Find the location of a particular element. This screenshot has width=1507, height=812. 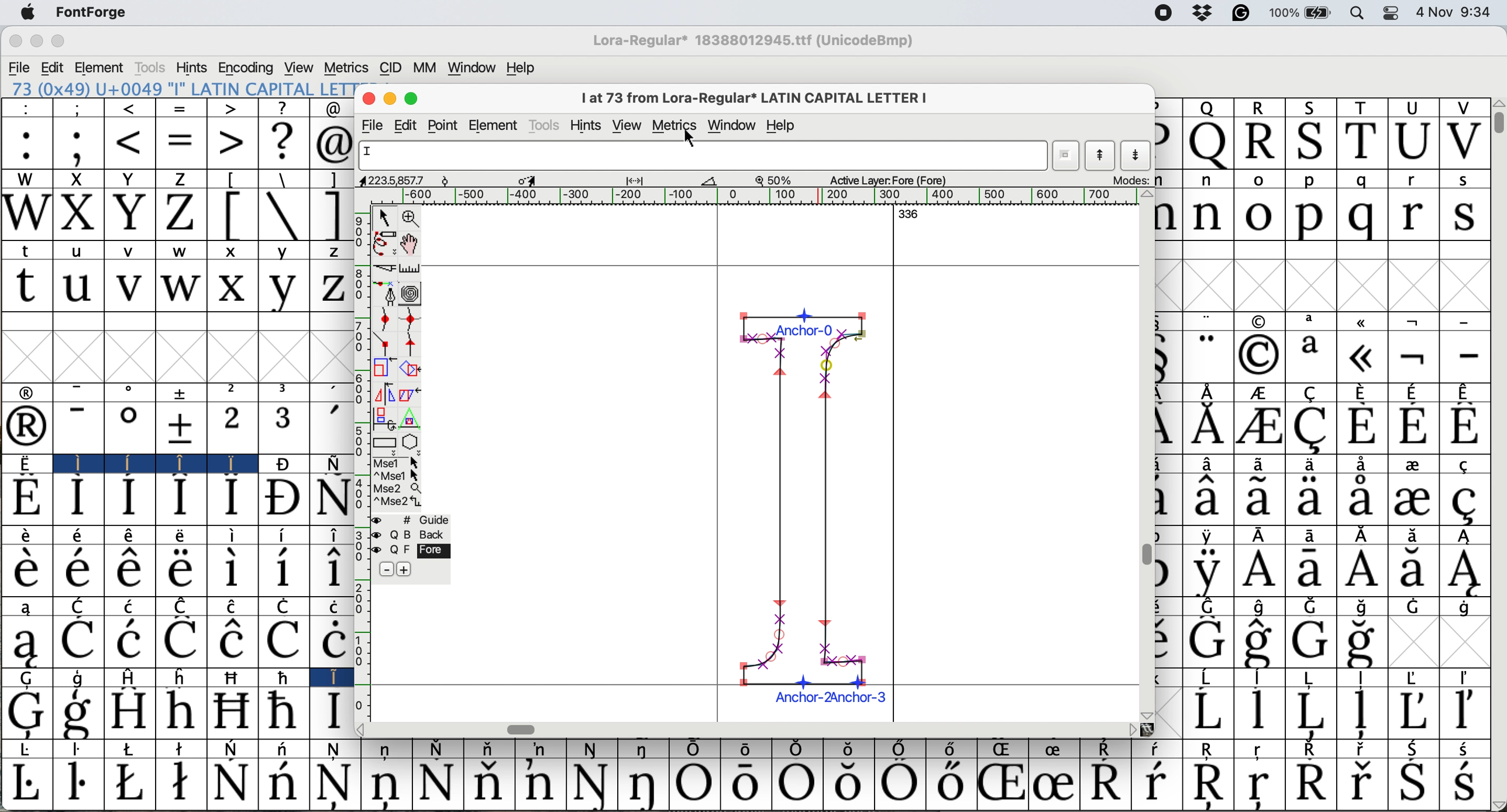

Symbol is located at coordinates (288, 605).